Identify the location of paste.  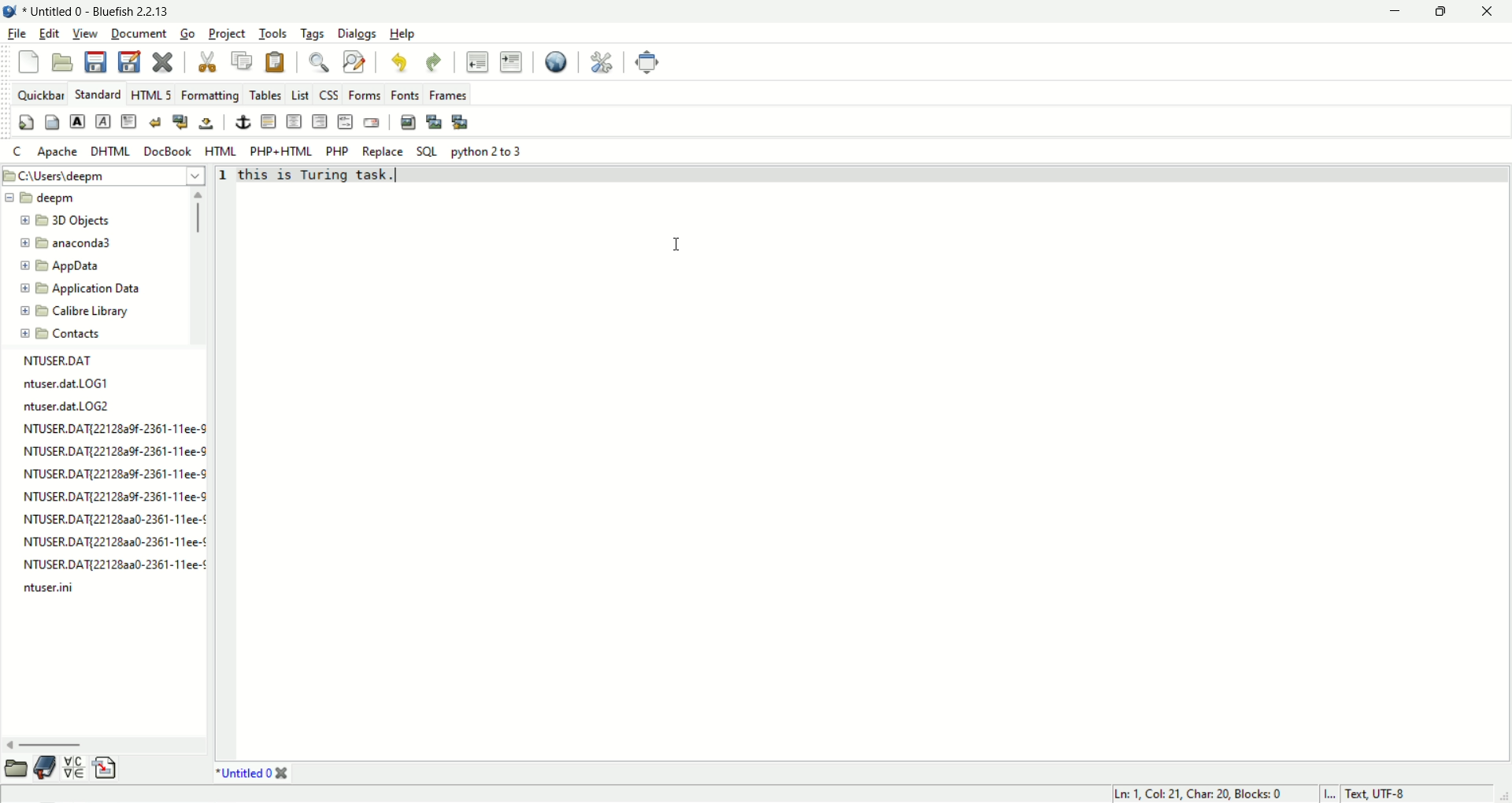
(275, 63).